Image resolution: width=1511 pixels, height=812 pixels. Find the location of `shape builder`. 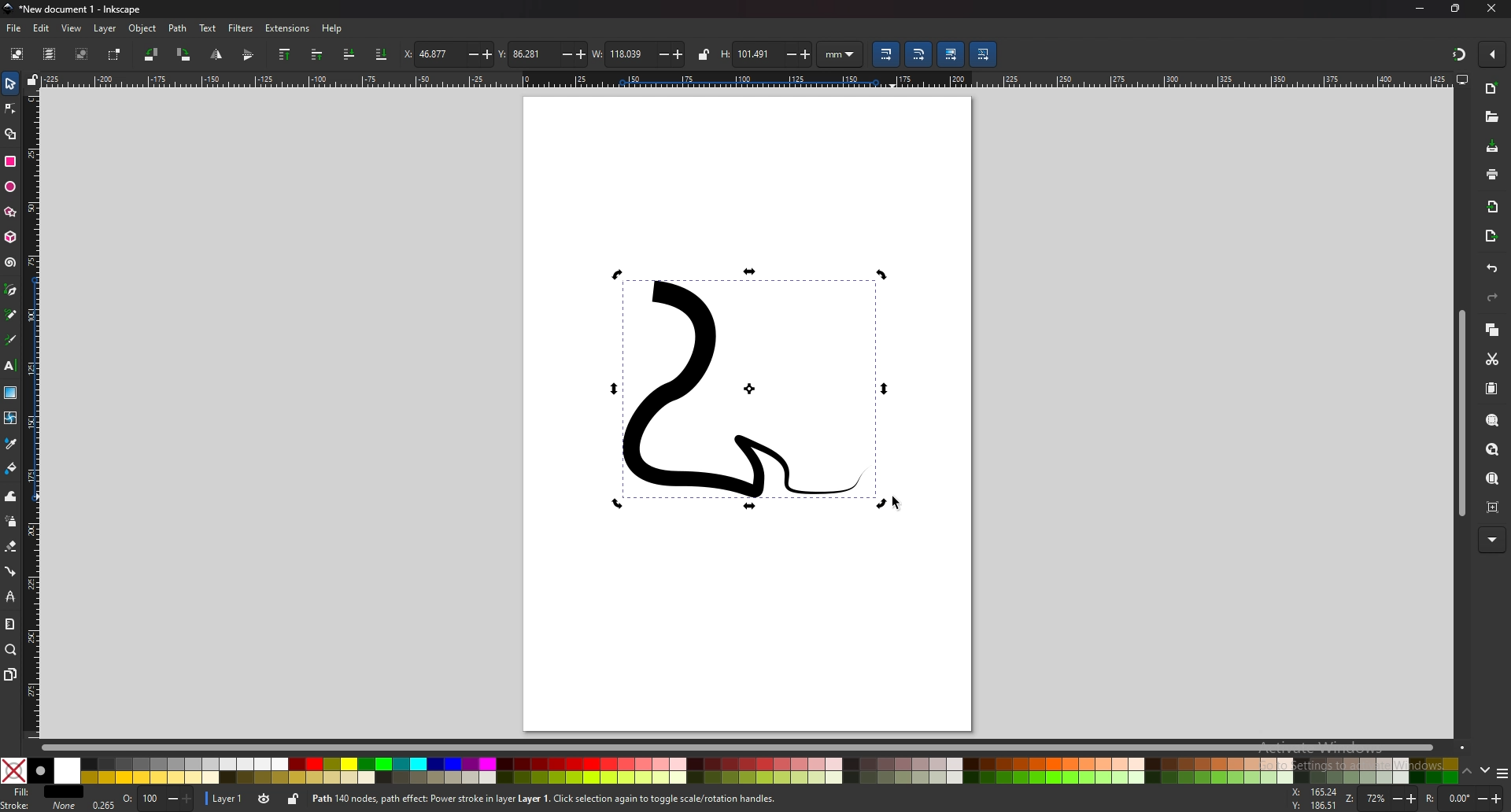

shape builder is located at coordinates (12, 134).